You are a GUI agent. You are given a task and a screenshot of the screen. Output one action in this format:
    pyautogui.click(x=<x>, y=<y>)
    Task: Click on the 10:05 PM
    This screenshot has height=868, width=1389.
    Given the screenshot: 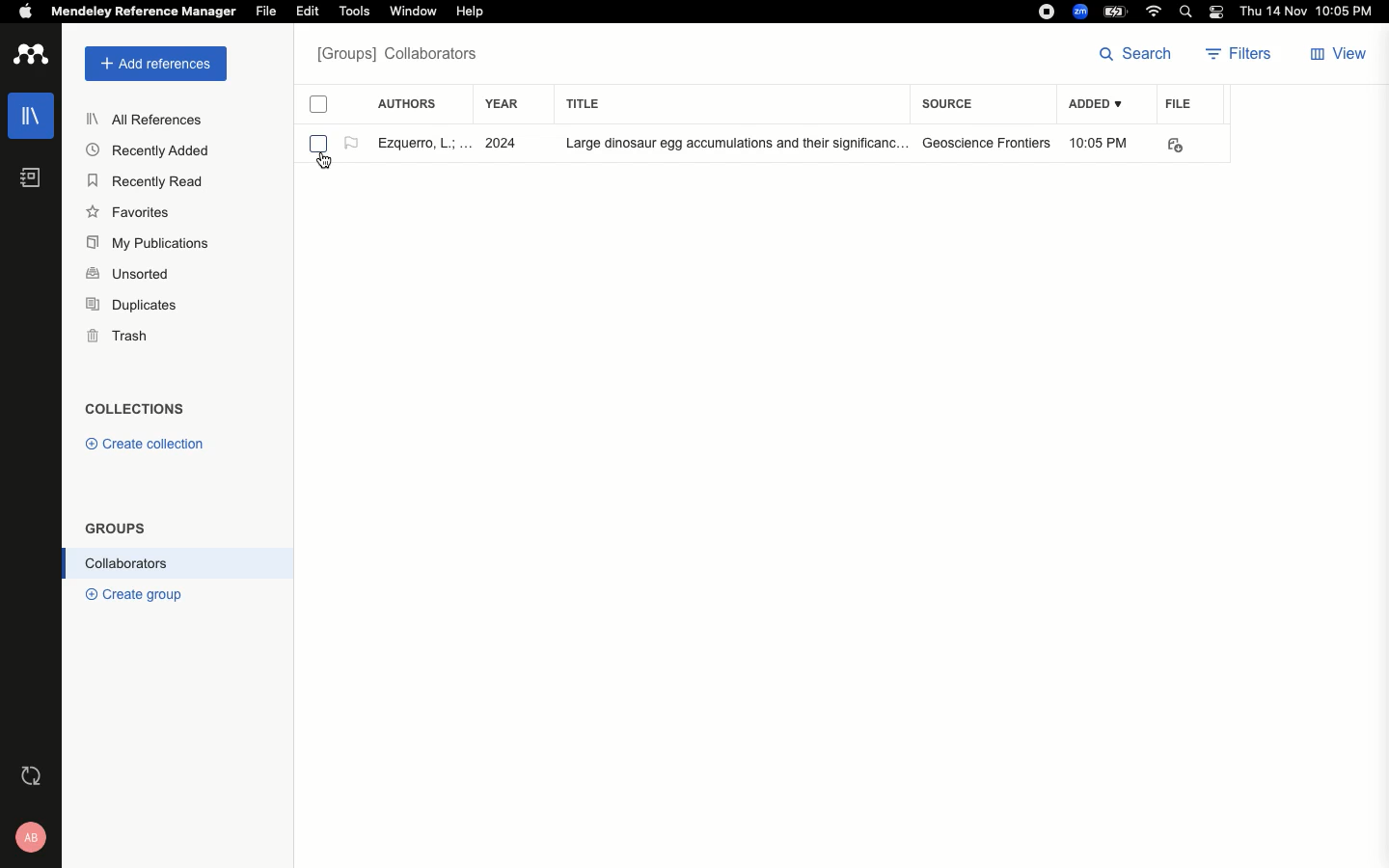 What is the action you would take?
    pyautogui.click(x=1102, y=143)
    